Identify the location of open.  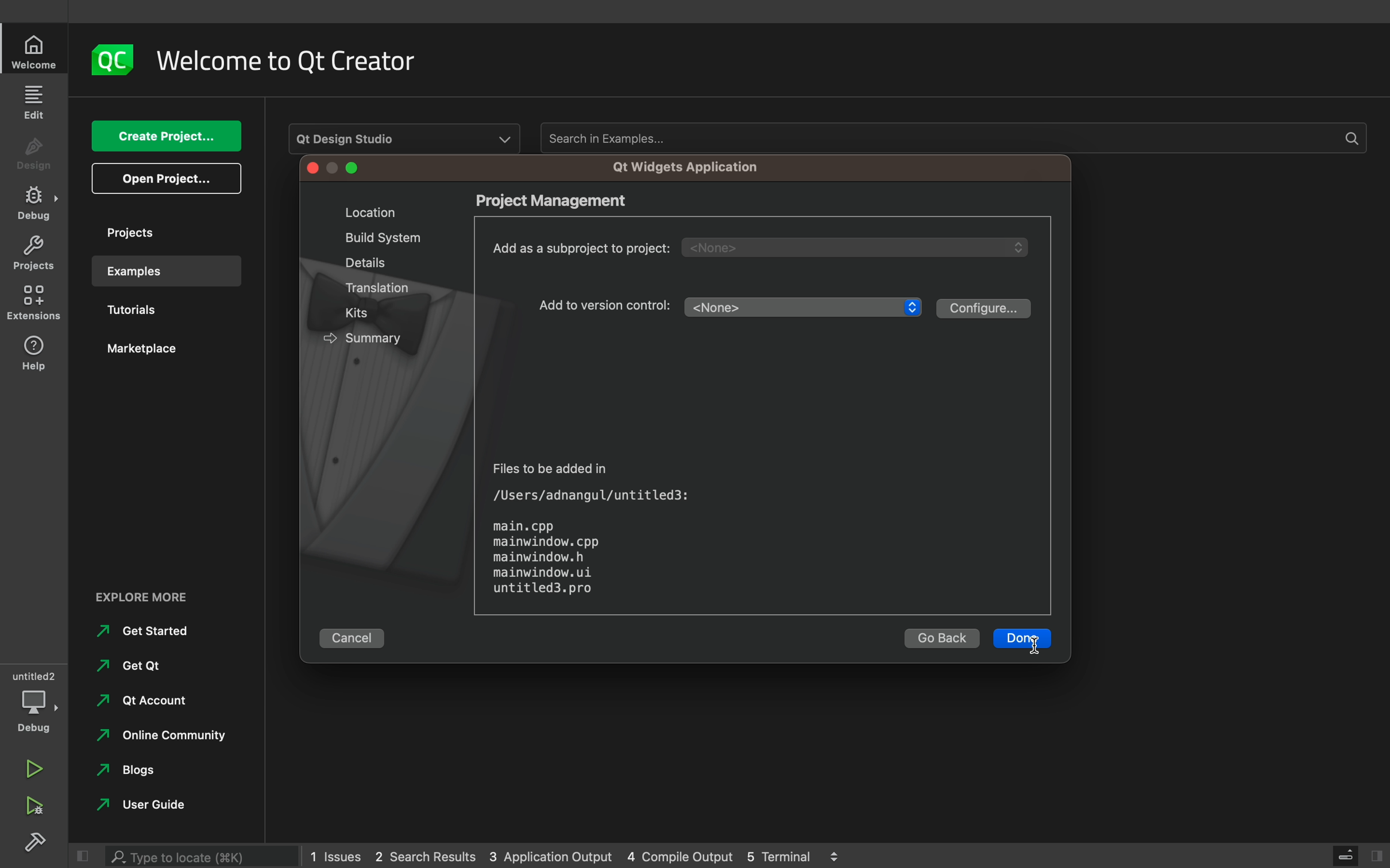
(167, 179).